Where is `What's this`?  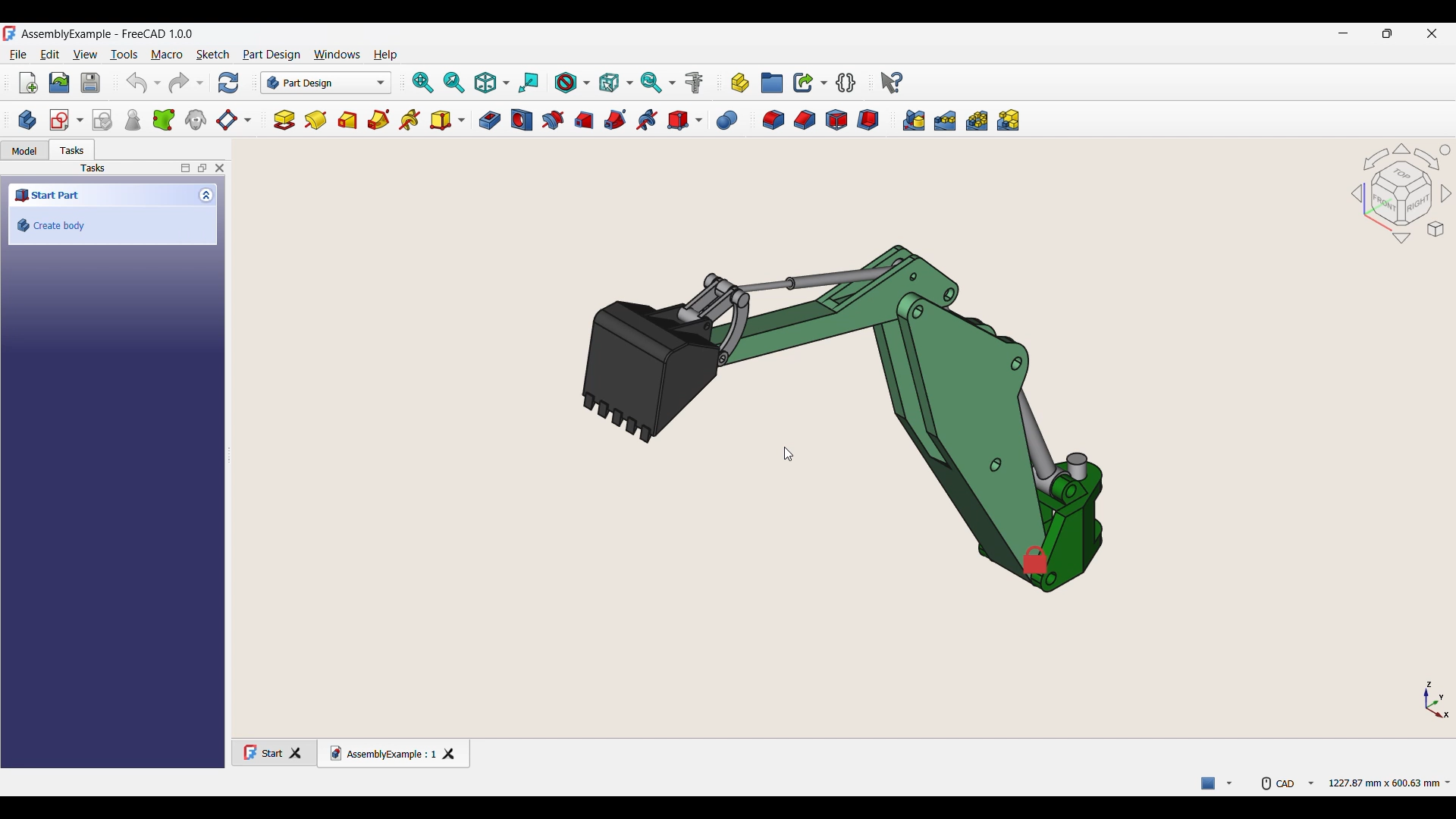
What's this is located at coordinates (893, 83).